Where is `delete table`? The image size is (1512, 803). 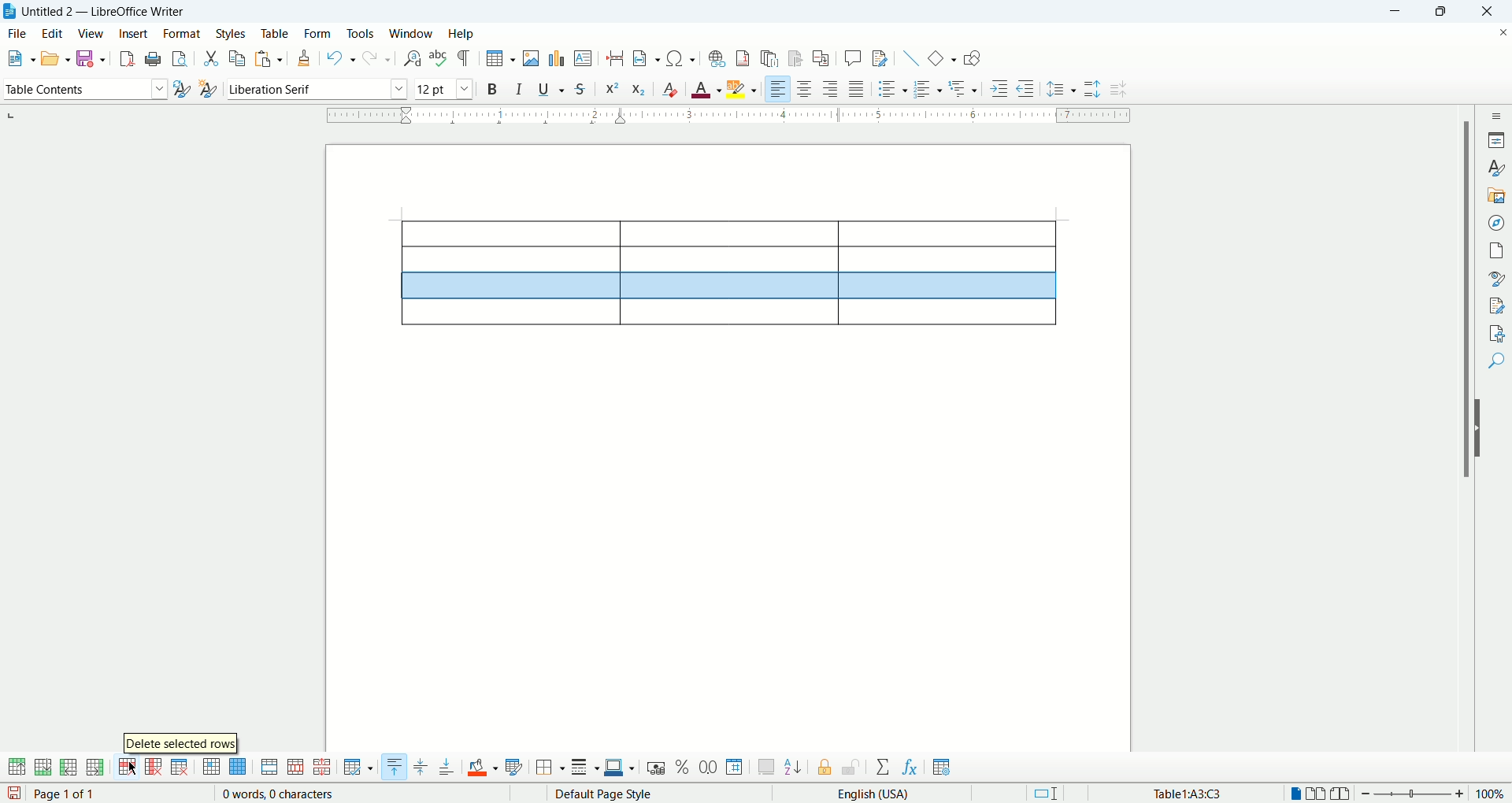
delete table is located at coordinates (181, 768).